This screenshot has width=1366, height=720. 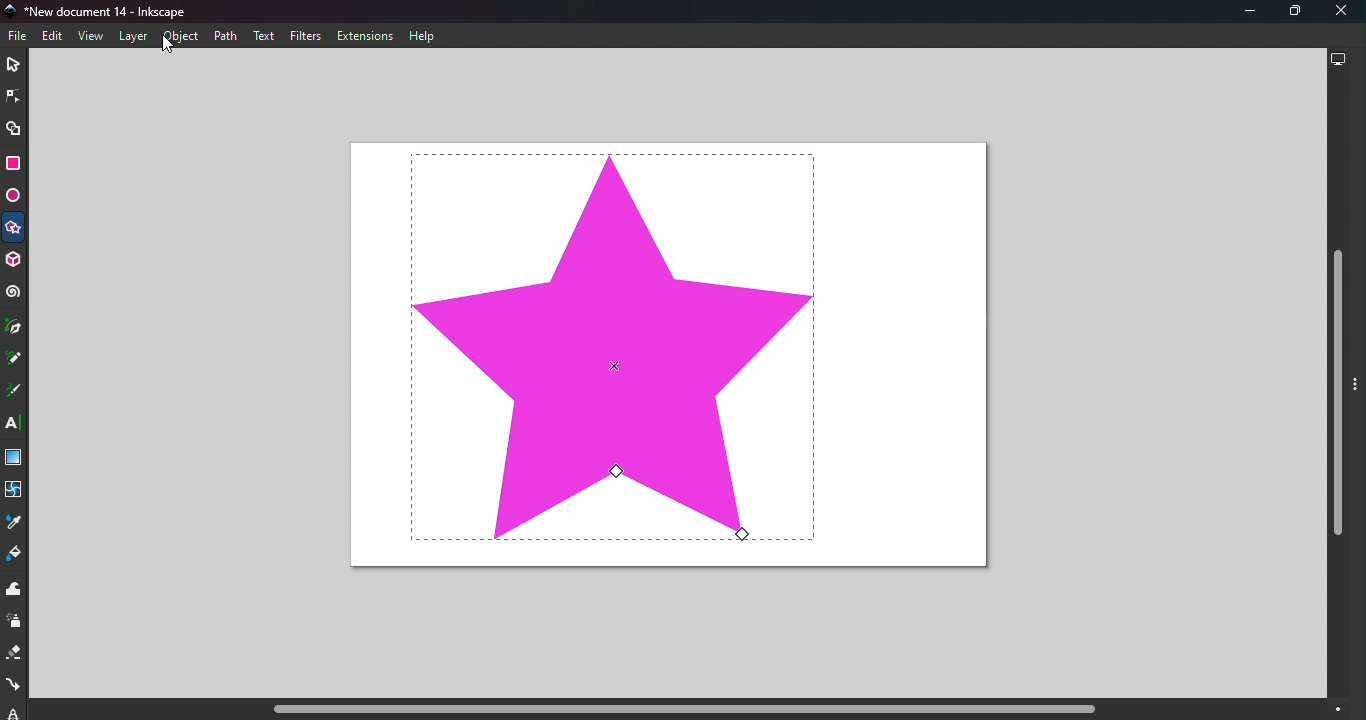 What do you see at coordinates (13, 687) in the screenshot?
I see `Connector tool` at bounding box center [13, 687].